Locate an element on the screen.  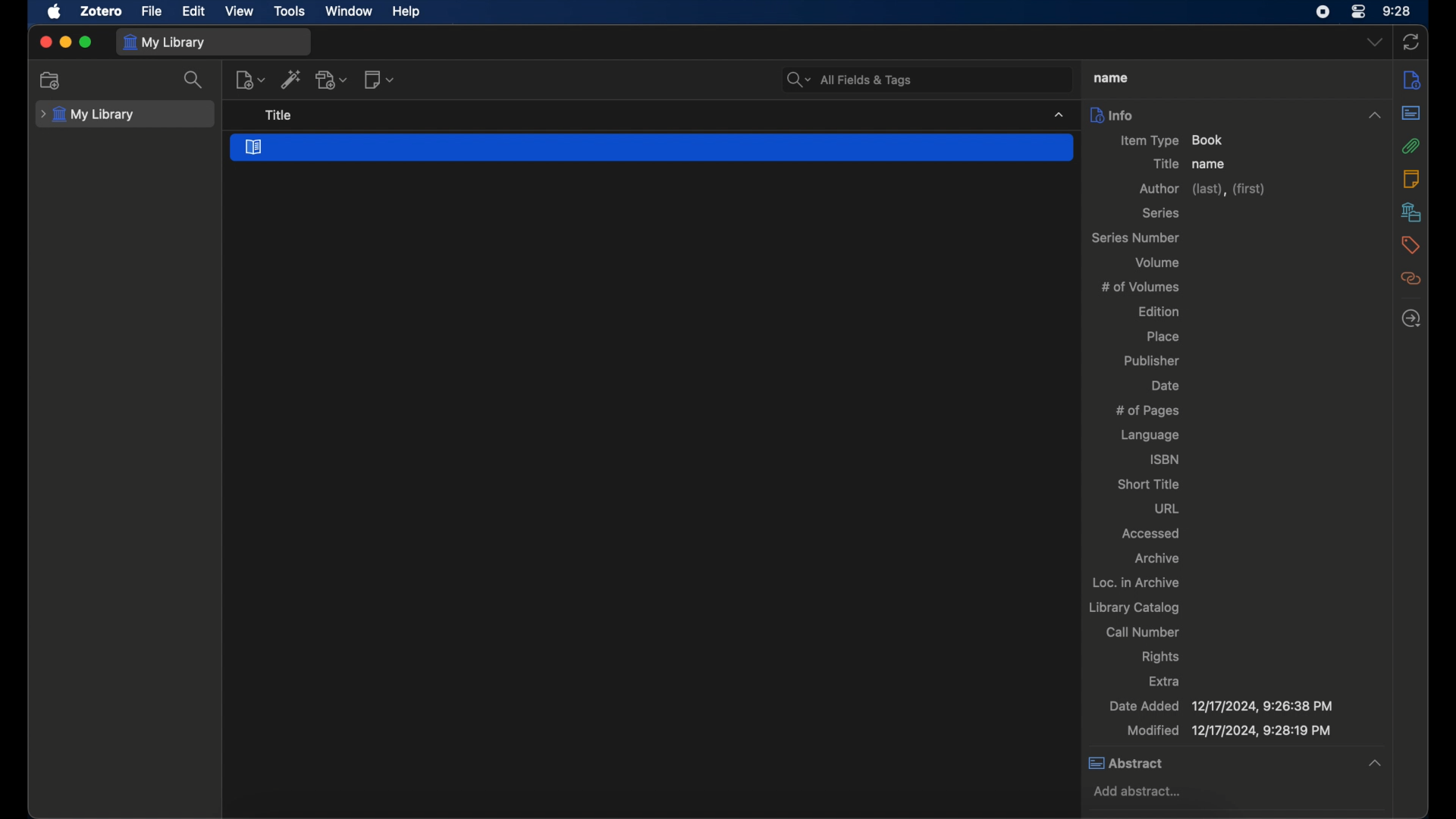
maximize is located at coordinates (86, 42).